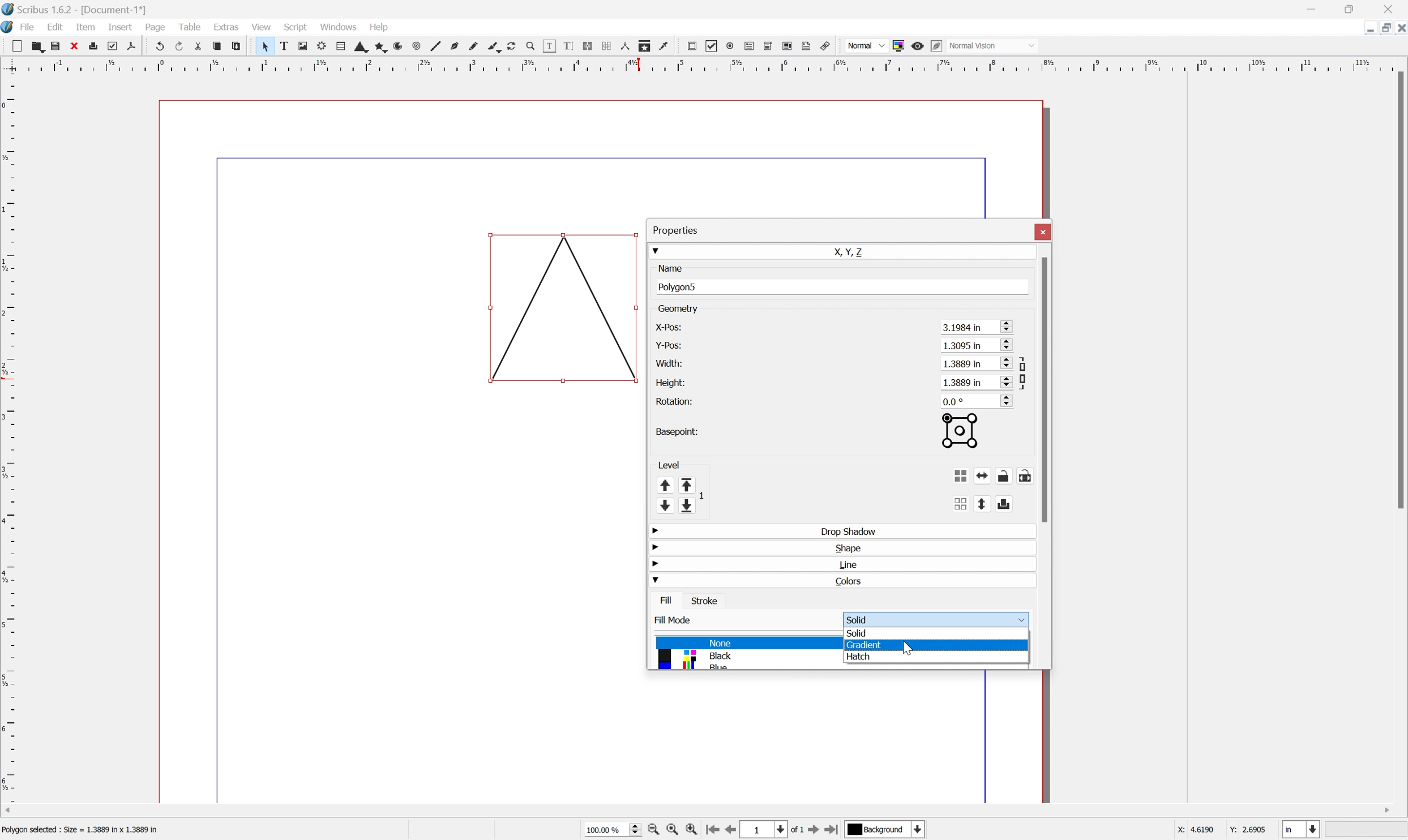 This screenshot has width=1408, height=840. What do you see at coordinates (798, 830) in the screenshot?
I see `of 1` at bounding box center [798, 830].